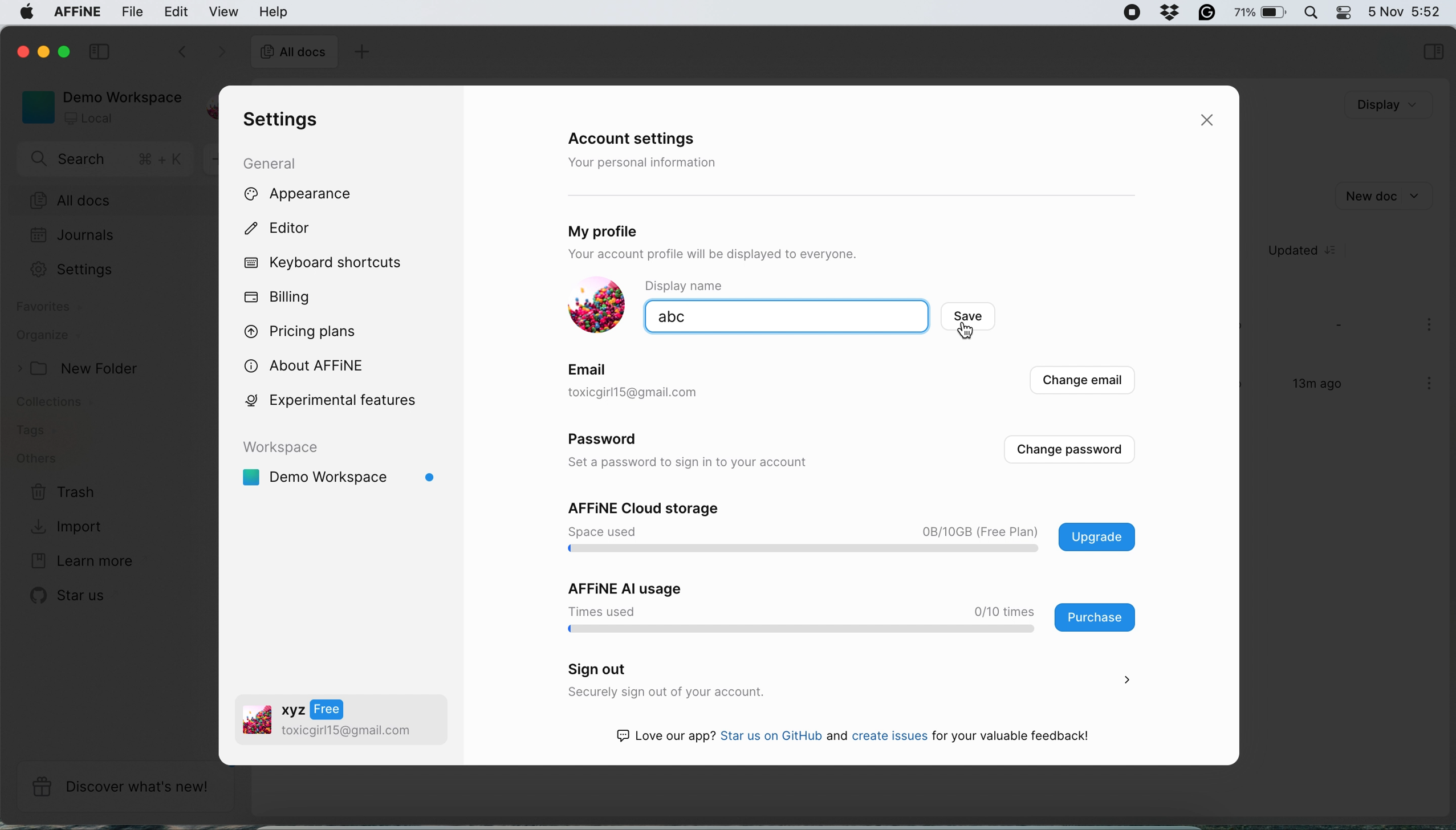  Describe the element at coordinates (1260, 14) in the screenshot. I see `75%` at that location.